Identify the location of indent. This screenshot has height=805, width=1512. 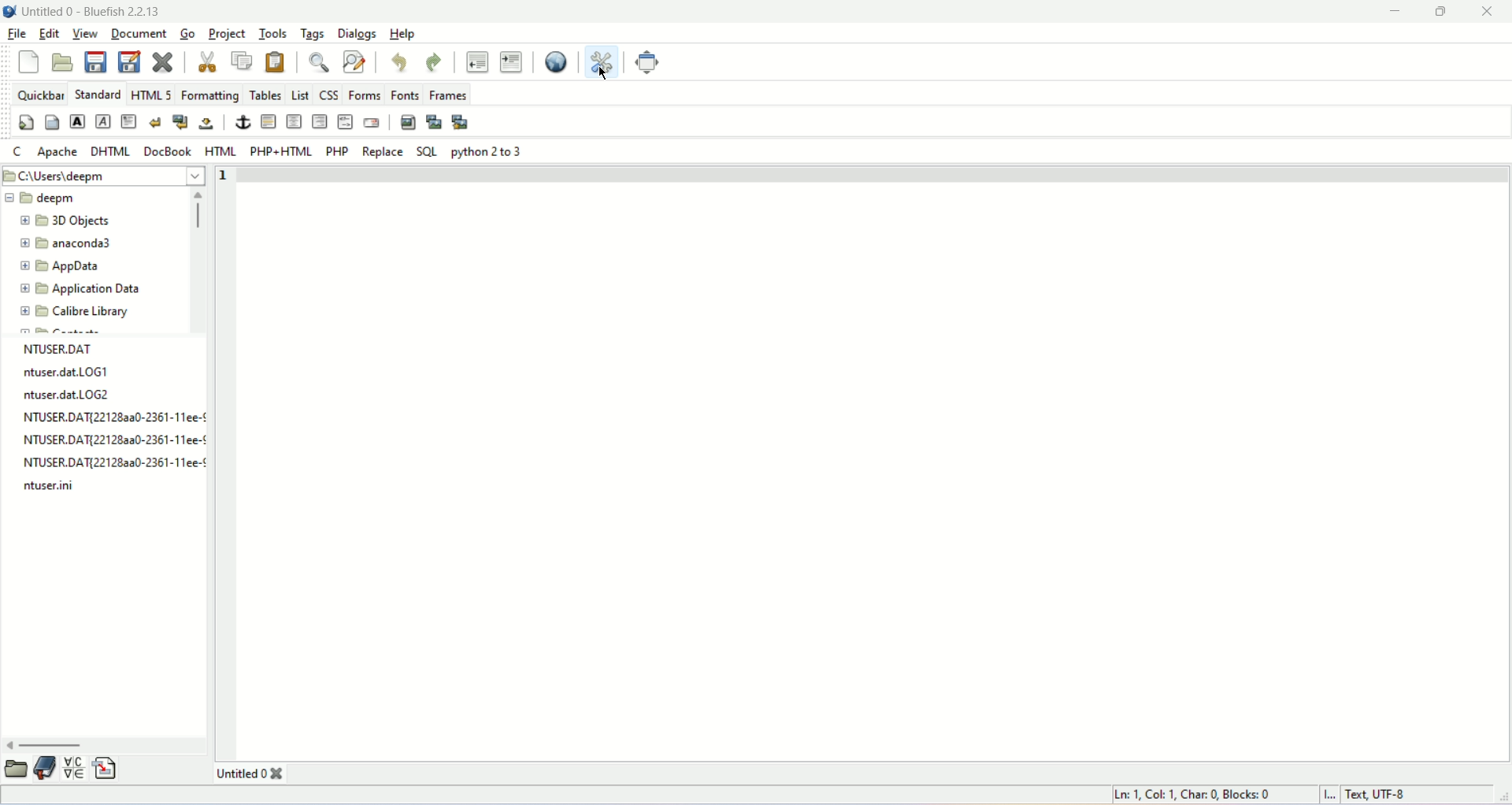
(511, 61).